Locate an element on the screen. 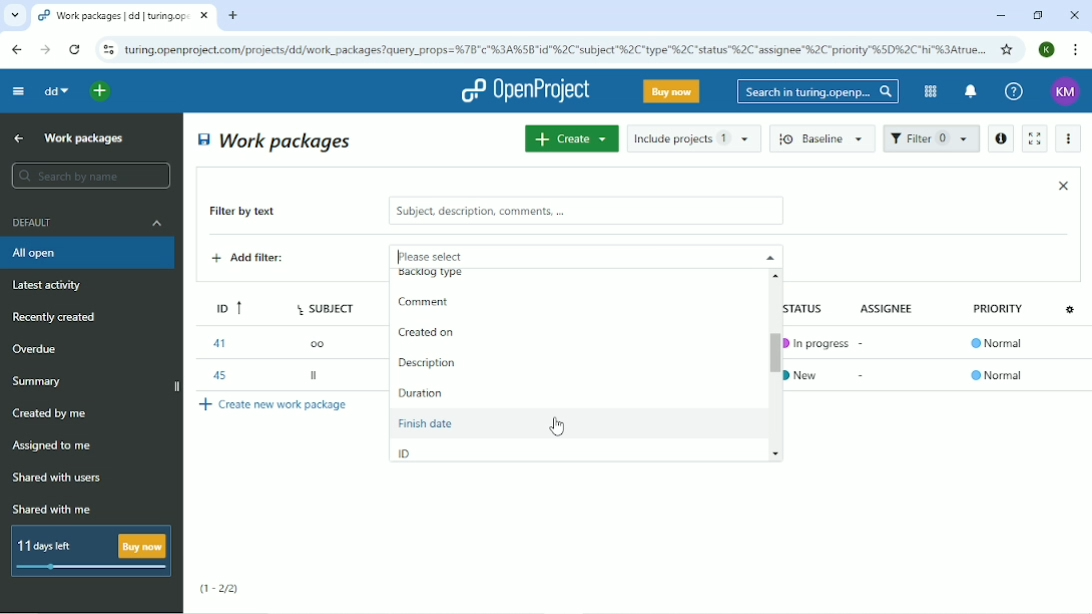 The image size is (1092, 614). Back is located at coordinates (16, 49).